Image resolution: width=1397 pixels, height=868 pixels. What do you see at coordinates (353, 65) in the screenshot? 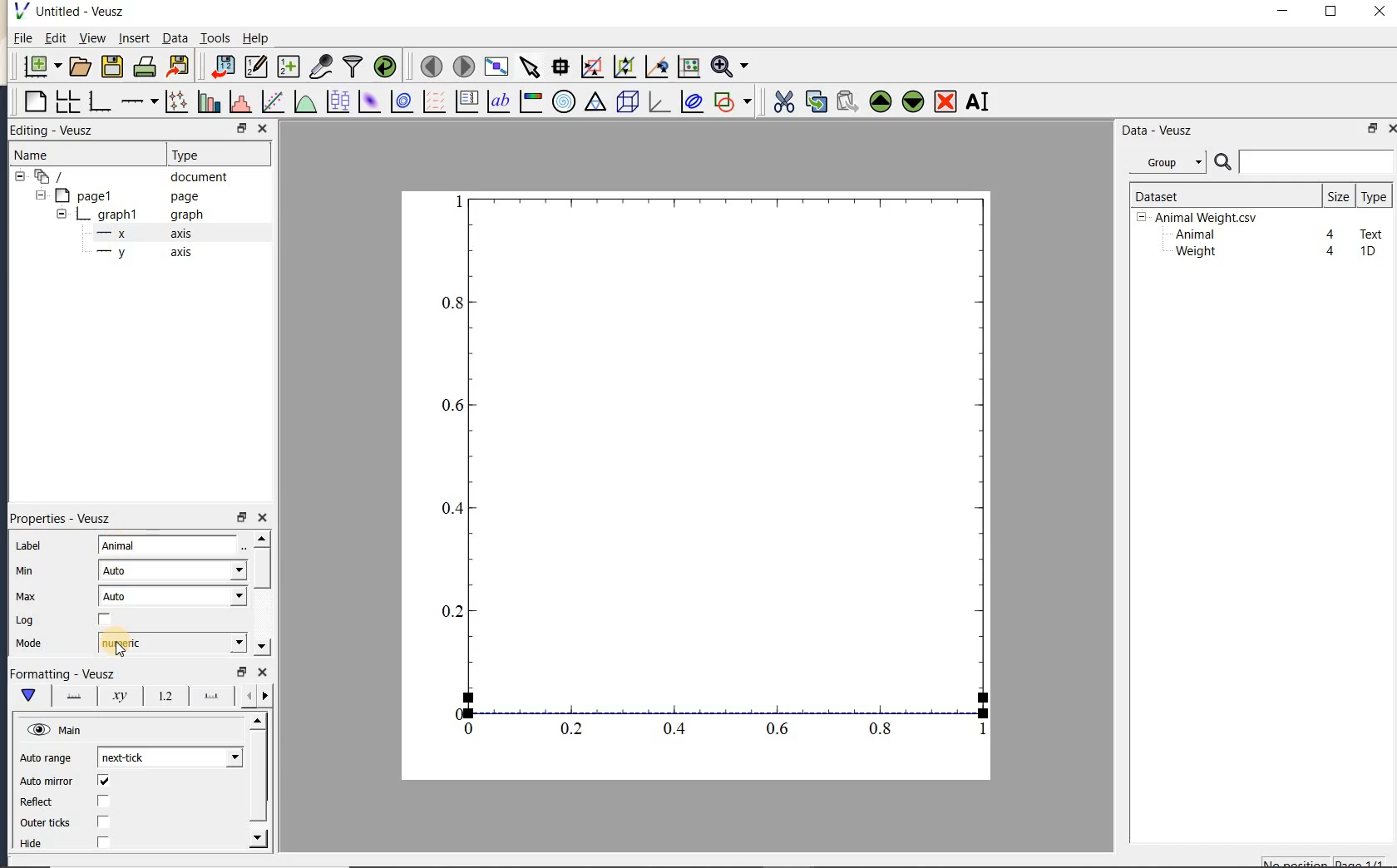
I see `filter data` at bounding box center [353, 65].